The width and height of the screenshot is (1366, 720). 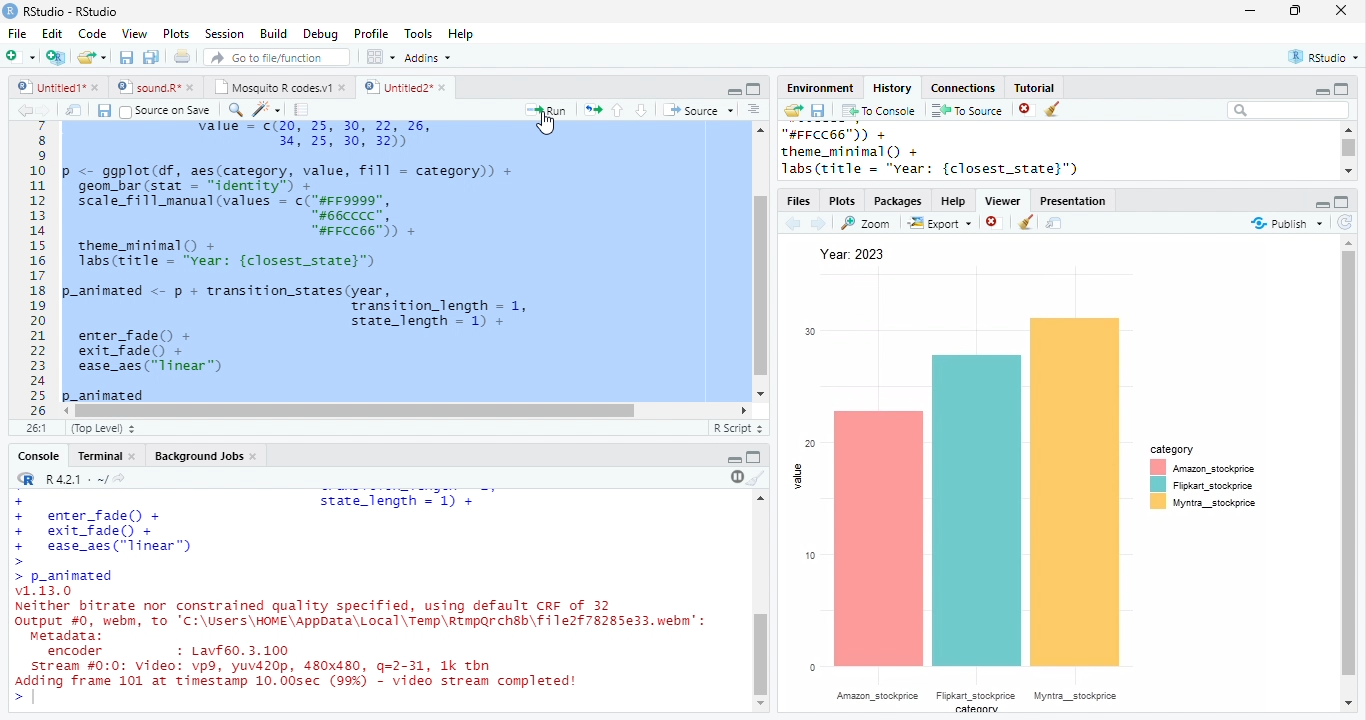 What do you see at coordinates (103, 428) in the screenshot?
I see `(Top Level)` at bounding box center [103, 428].